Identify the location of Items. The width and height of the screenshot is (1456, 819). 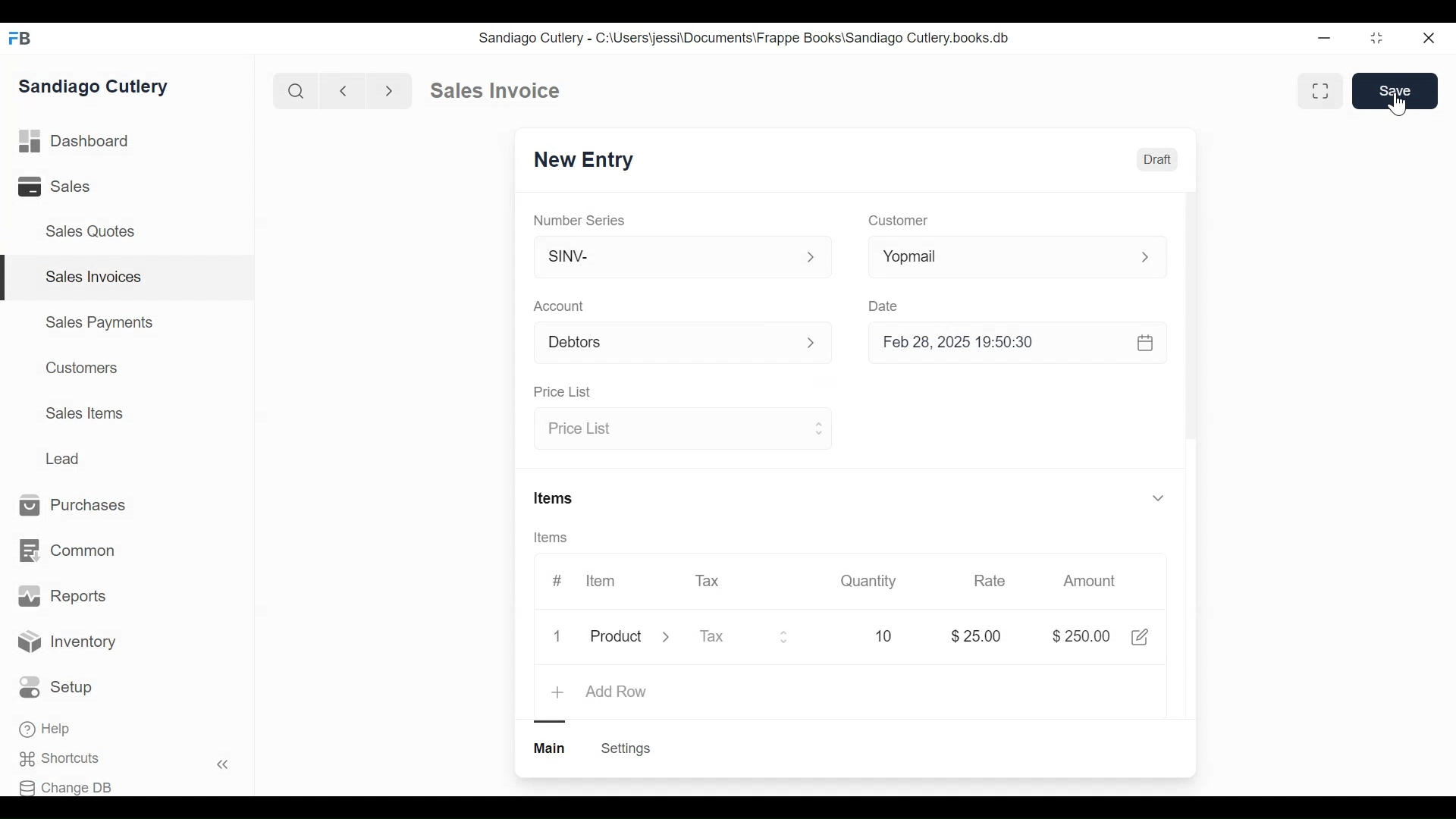
(552, 538).